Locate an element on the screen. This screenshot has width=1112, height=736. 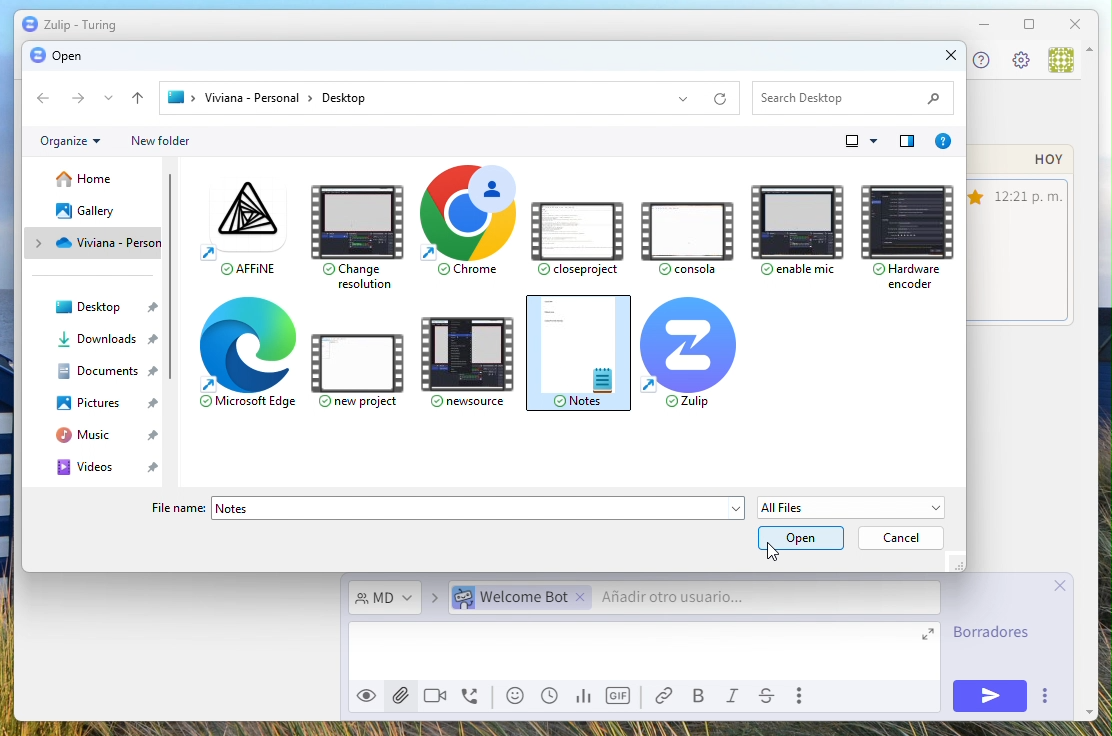
File name is located at coordinates (180, 508).